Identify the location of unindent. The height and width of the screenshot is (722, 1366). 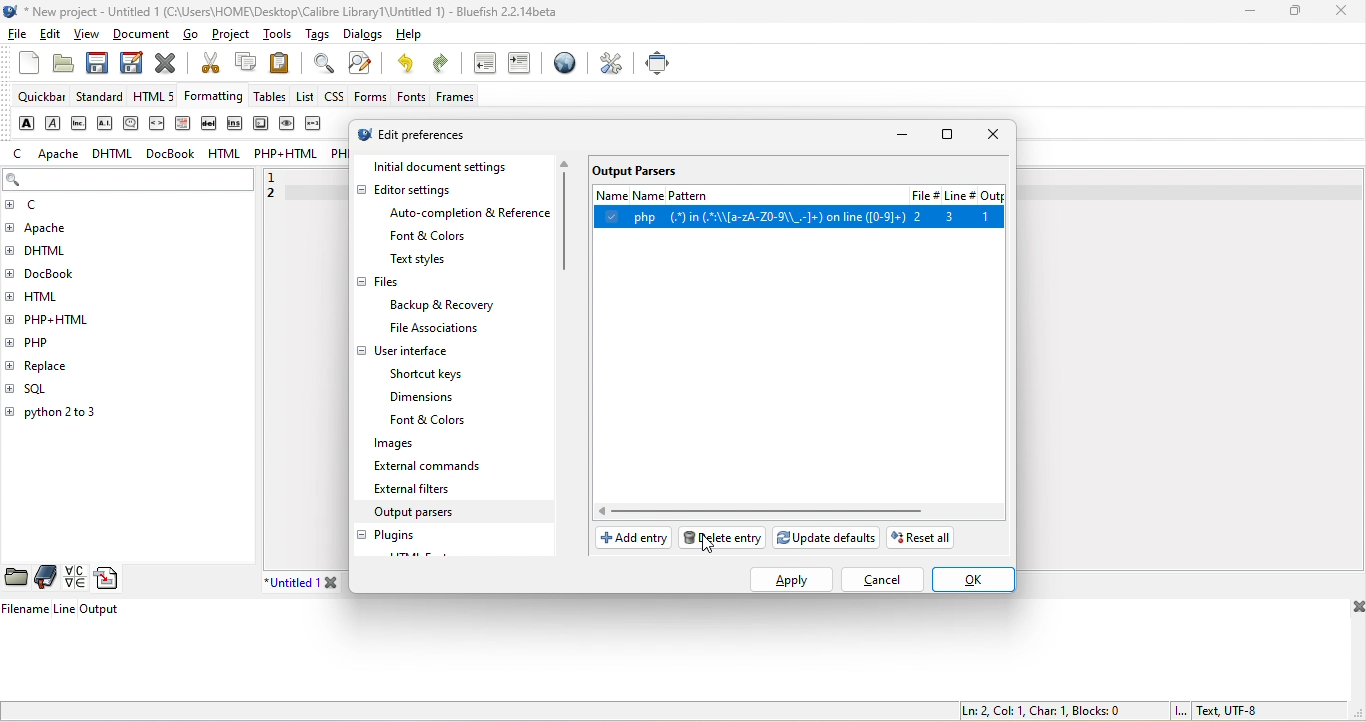
(482, 65).